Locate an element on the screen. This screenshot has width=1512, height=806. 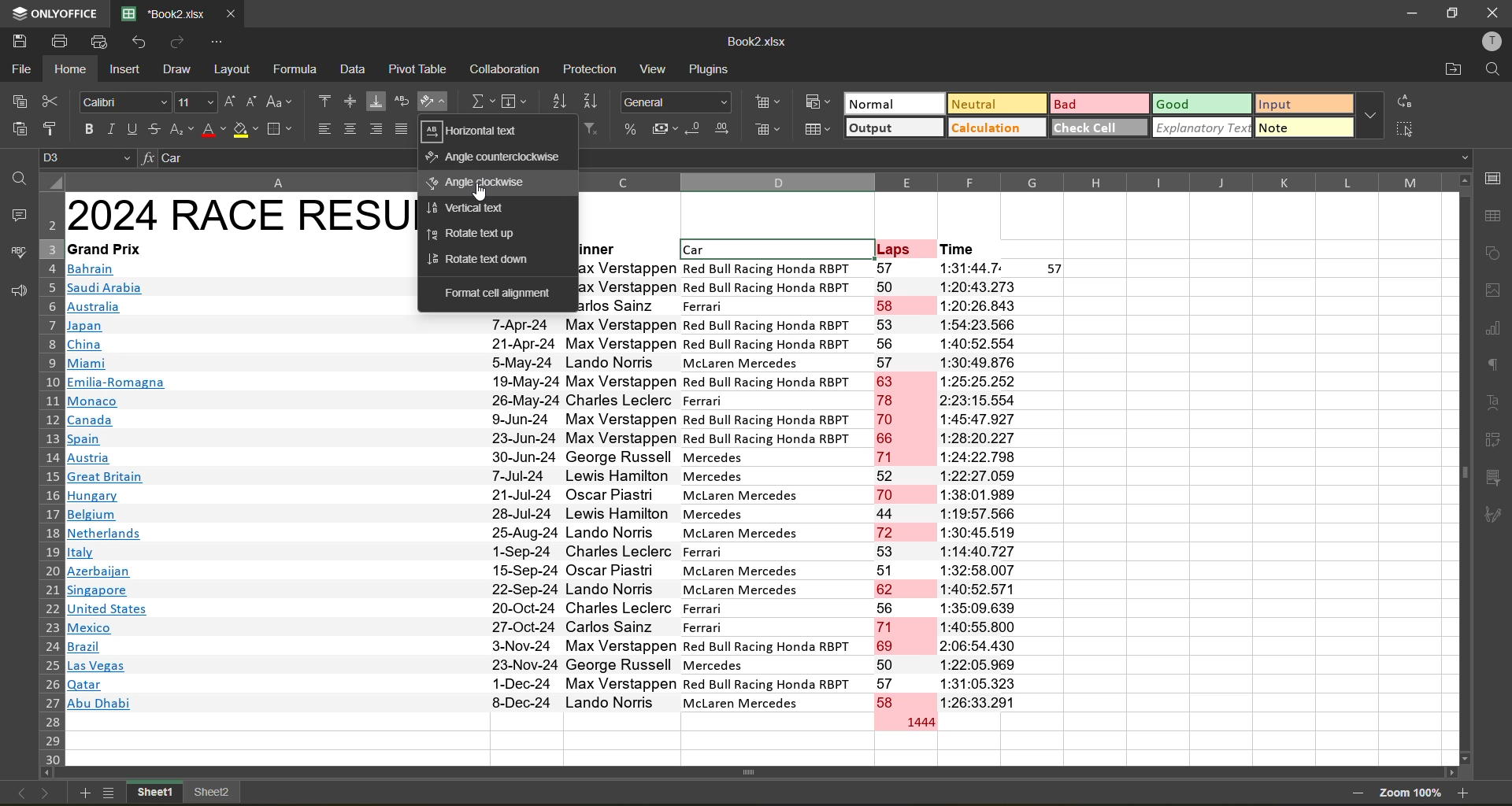
decrement size is located at coordinates (254, 102).